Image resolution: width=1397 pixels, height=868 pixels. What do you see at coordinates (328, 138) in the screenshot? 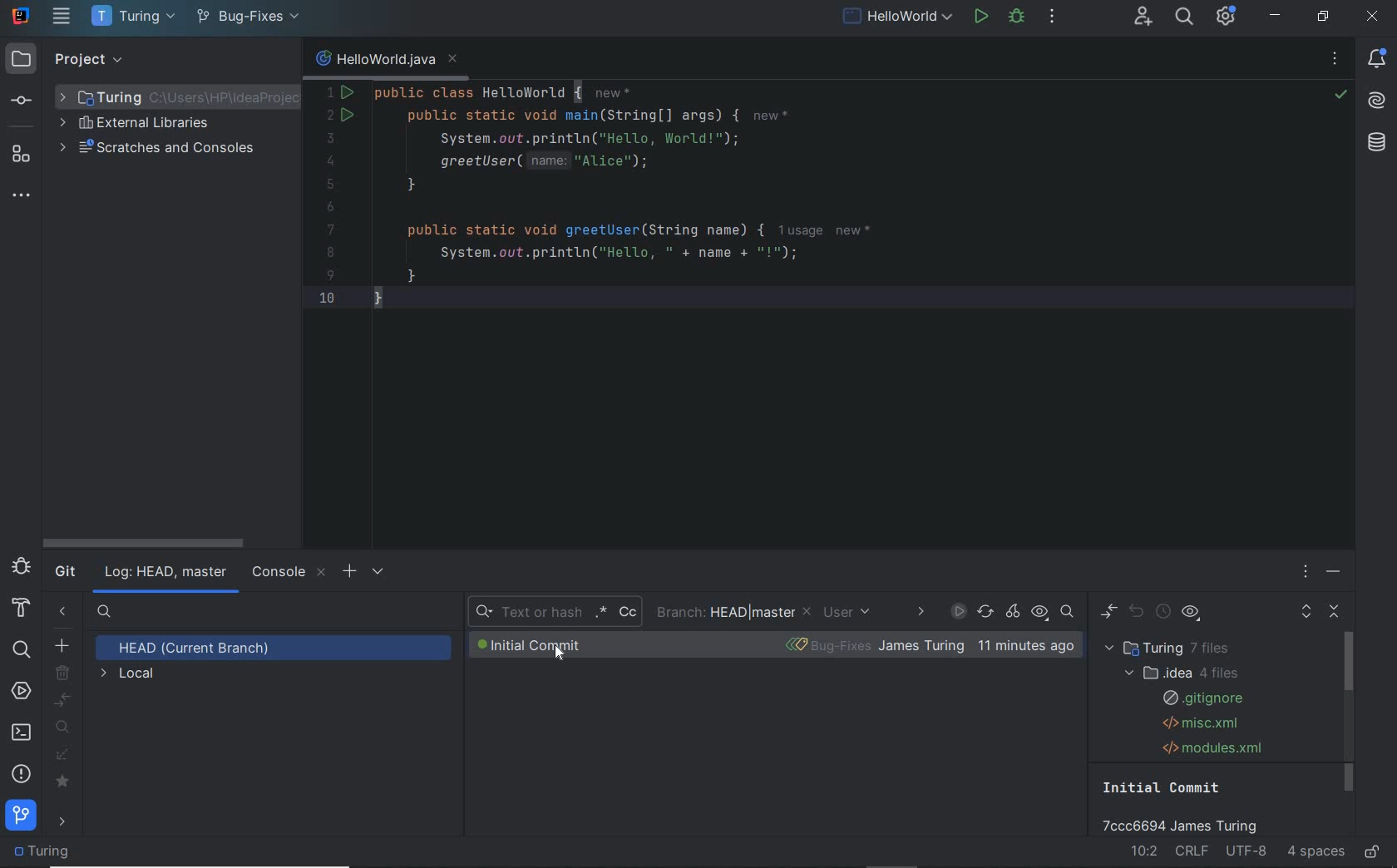
I see `3` at bounding box center [328, 138].